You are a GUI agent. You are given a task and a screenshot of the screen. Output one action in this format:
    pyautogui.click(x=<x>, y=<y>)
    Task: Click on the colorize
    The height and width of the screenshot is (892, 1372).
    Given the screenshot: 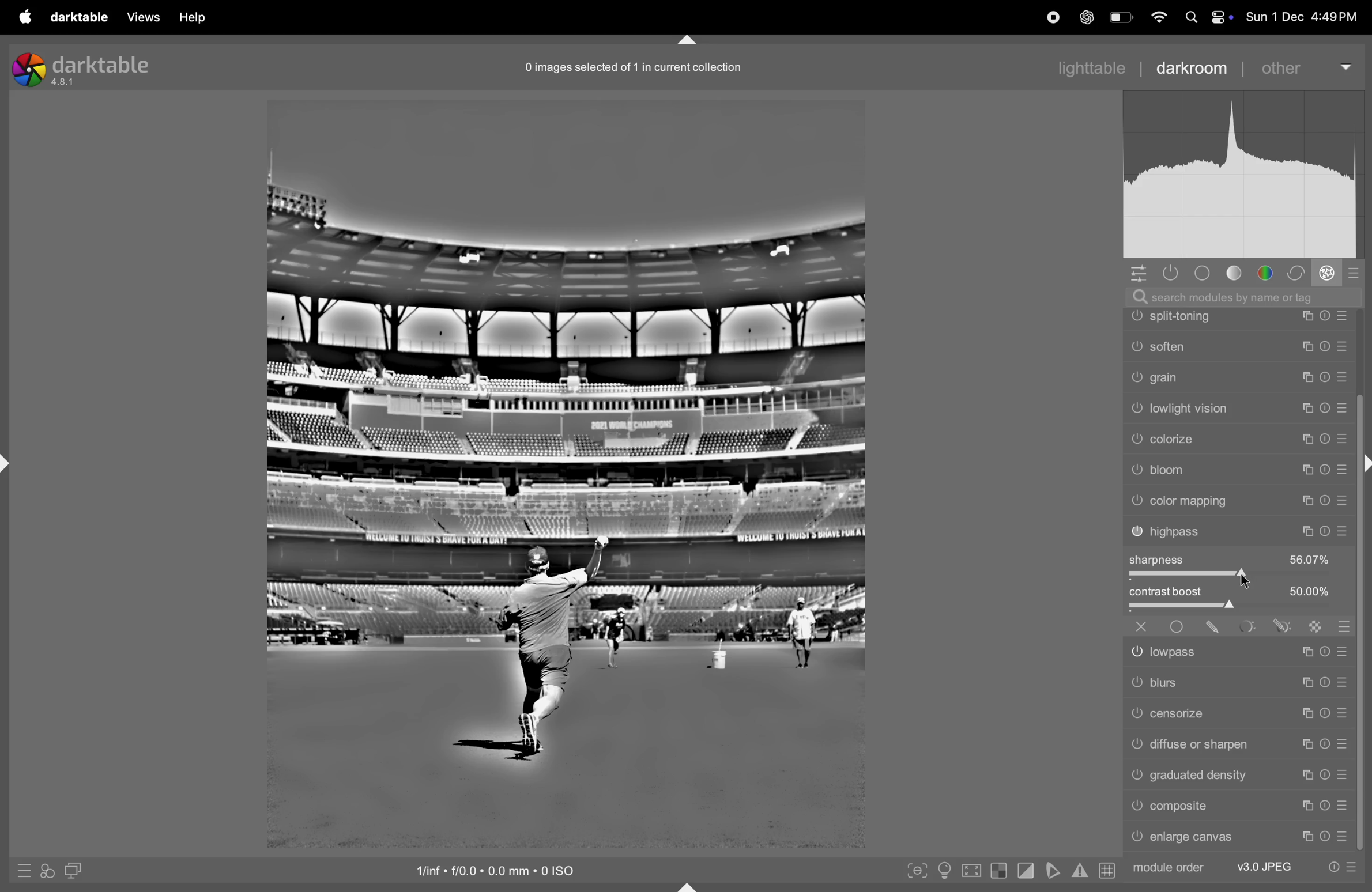 What is the action you would take?
    pyautogui.click(x=1241, y=530)
    